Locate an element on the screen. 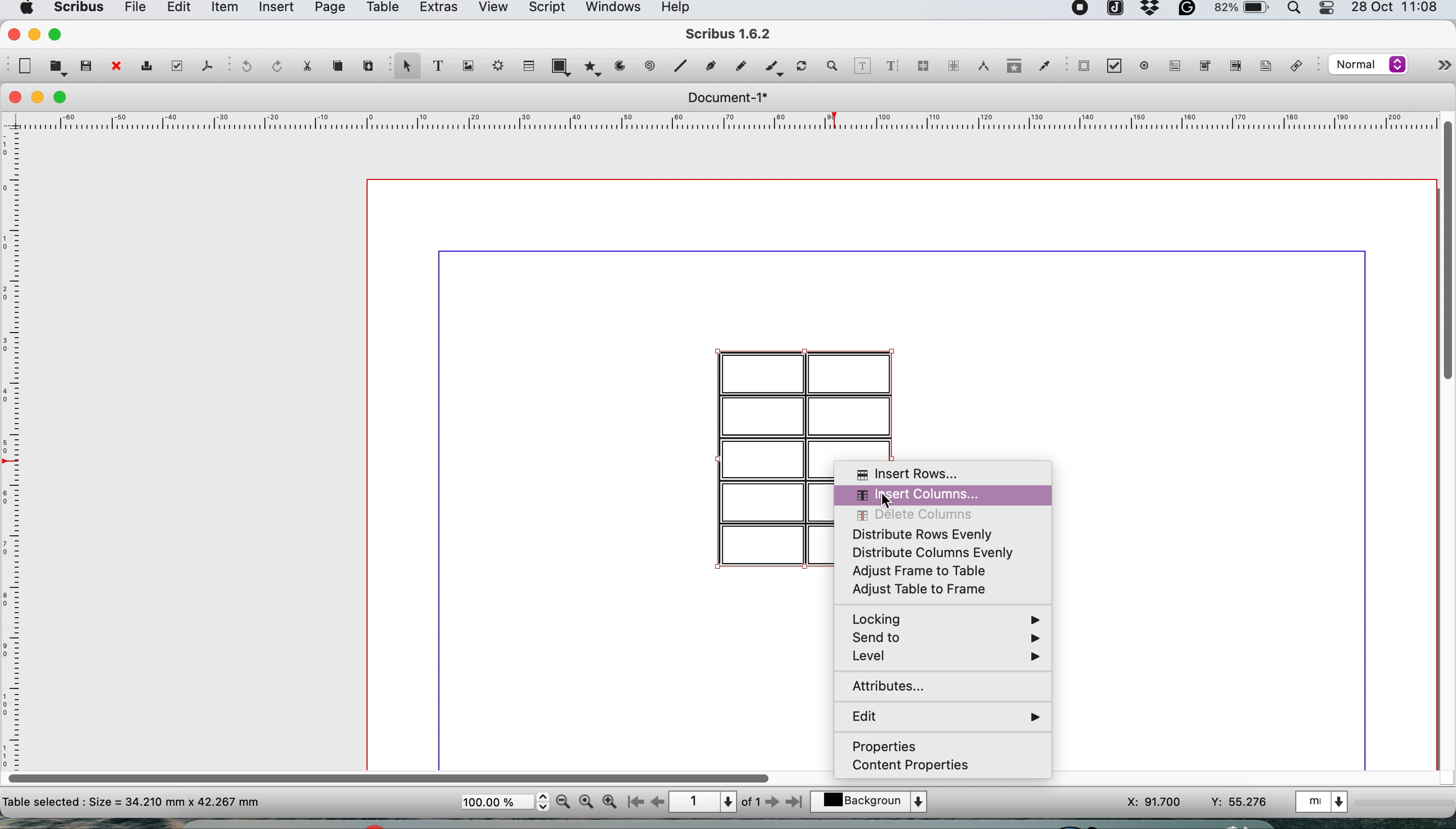 This screenshot has height=829, width=1456. system logo is located at coordinates (24, 9).